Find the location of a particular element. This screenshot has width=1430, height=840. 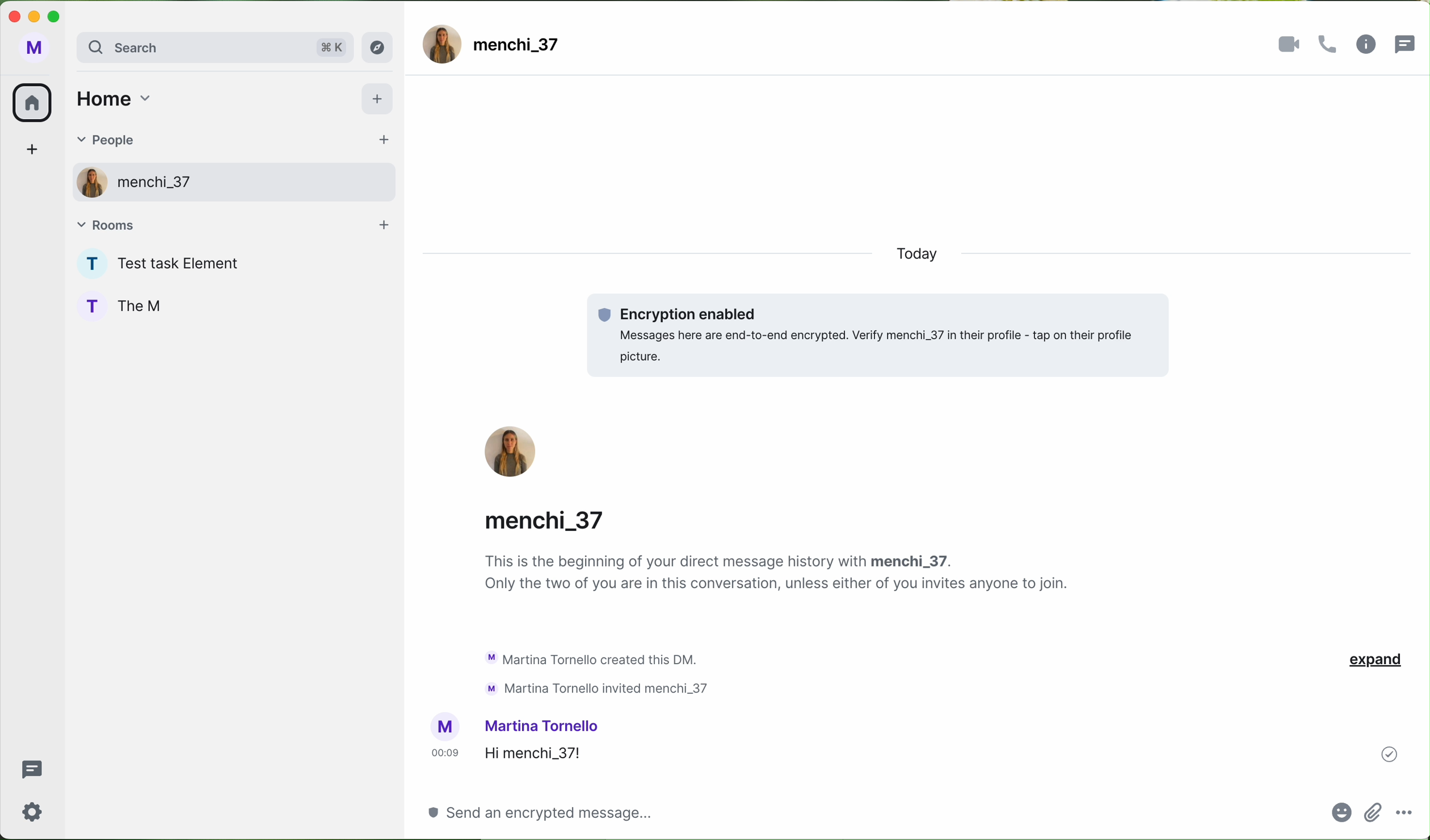

message sended is located at coordinates (897, 754).